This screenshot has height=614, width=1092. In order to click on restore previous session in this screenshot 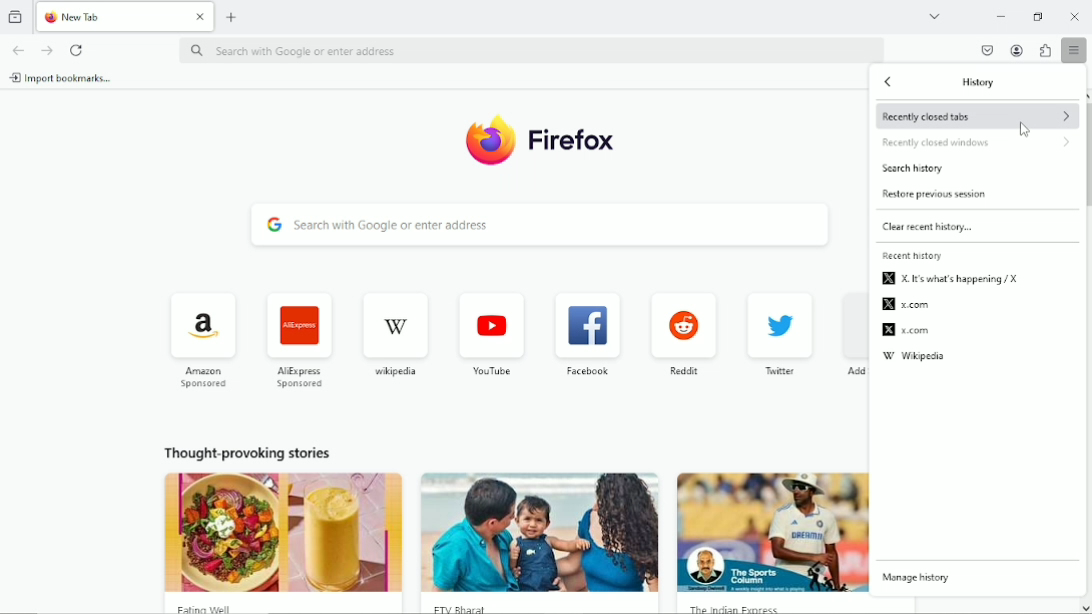, I will do `click(938, 195)`.